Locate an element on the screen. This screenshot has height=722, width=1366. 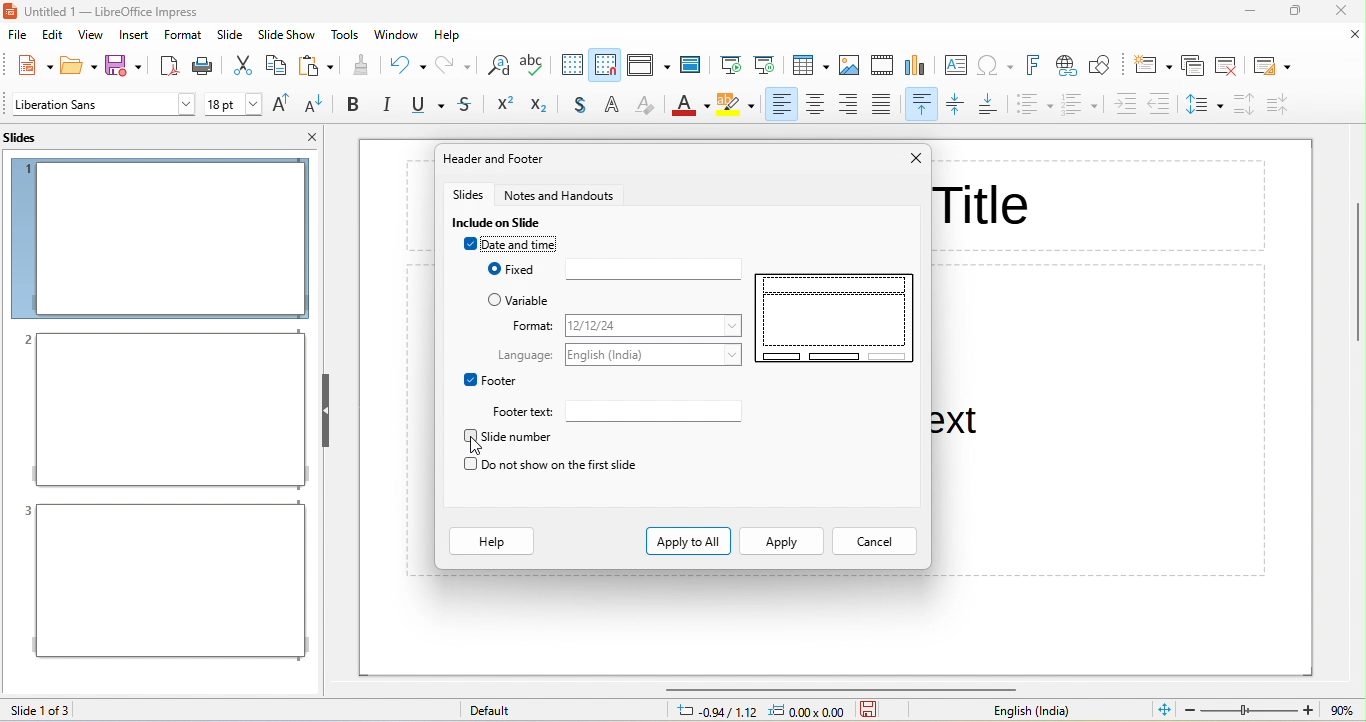
font name is located at coordinates (103, 104).